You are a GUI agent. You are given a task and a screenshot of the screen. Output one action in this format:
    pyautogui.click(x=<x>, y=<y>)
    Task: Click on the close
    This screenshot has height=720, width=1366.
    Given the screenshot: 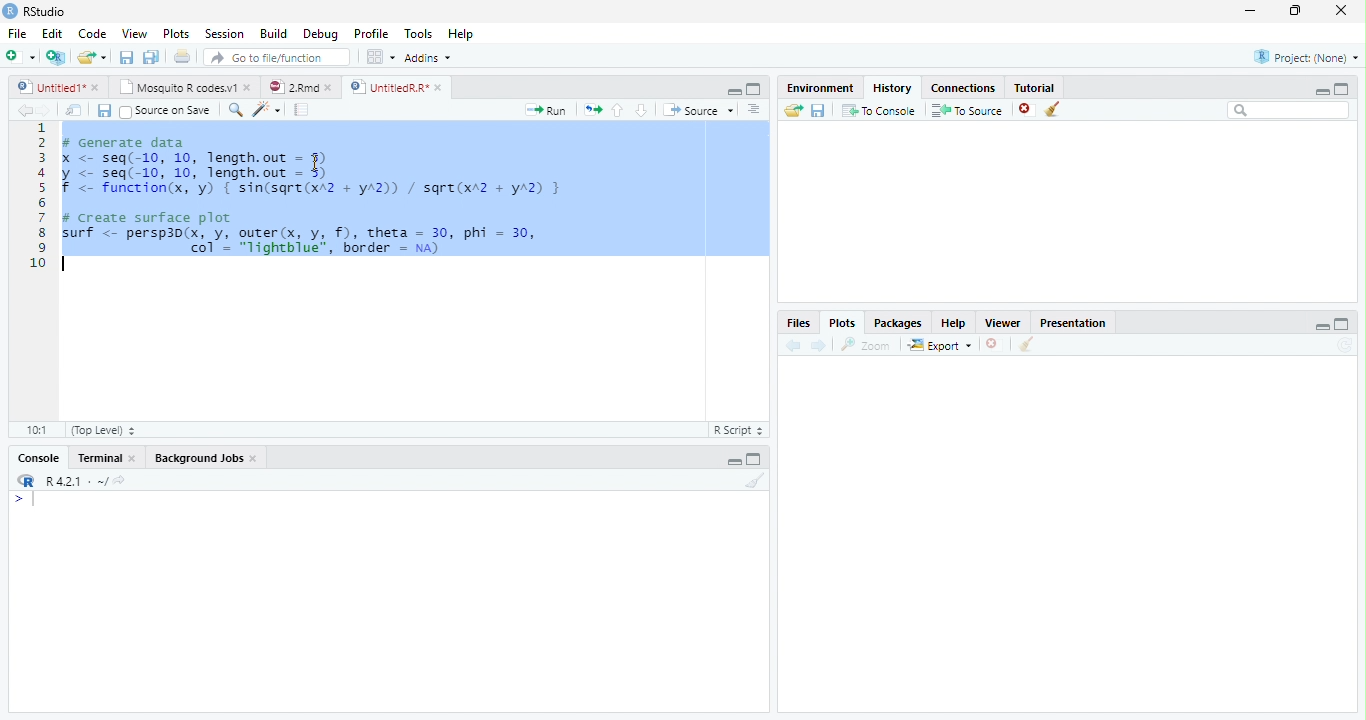 What is the action you would take?
    pyautogui.click(x=1341, y=10)
    